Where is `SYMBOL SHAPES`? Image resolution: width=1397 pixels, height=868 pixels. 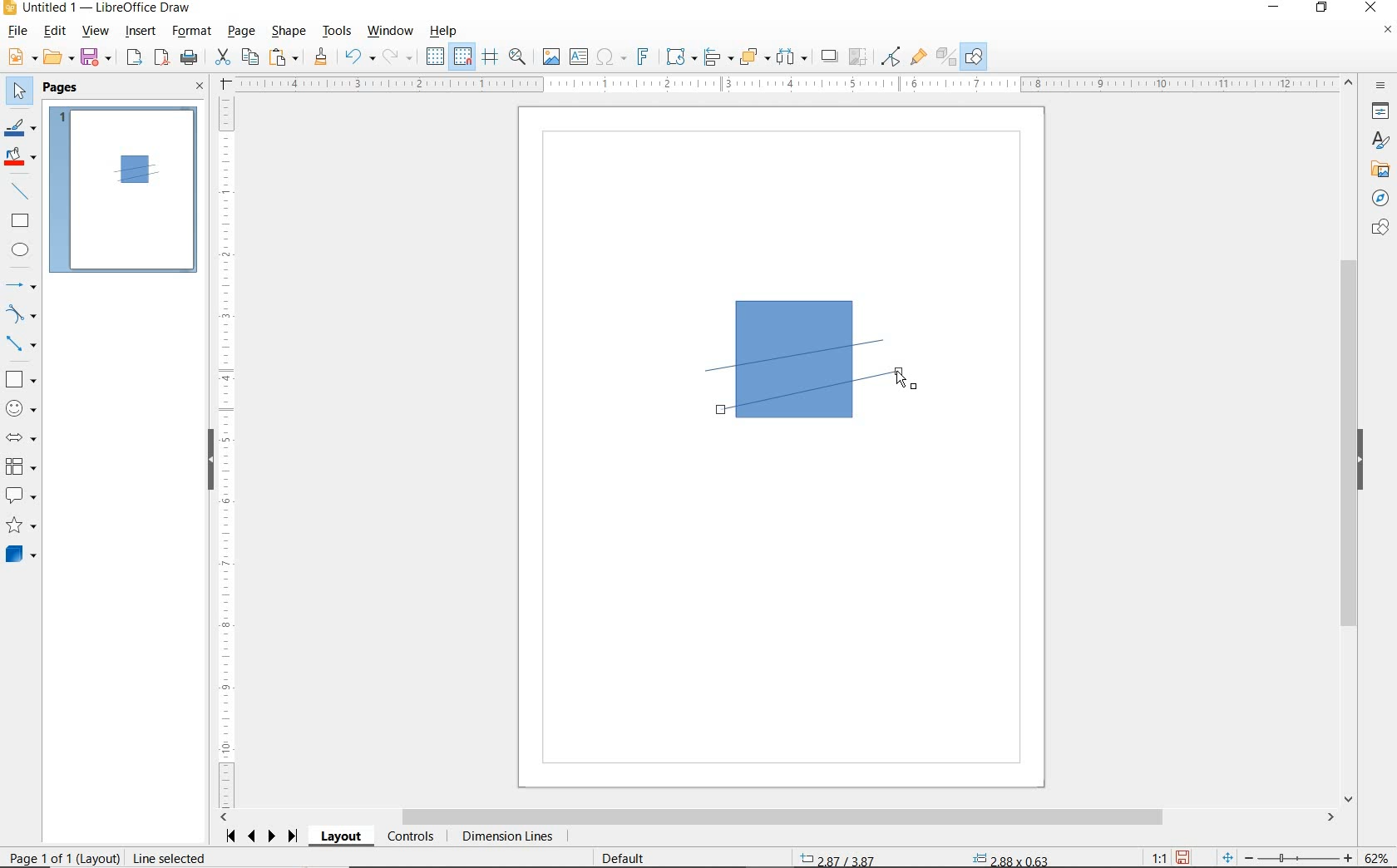 SYMBOL SHAPES is located at coordinates (22, 407).